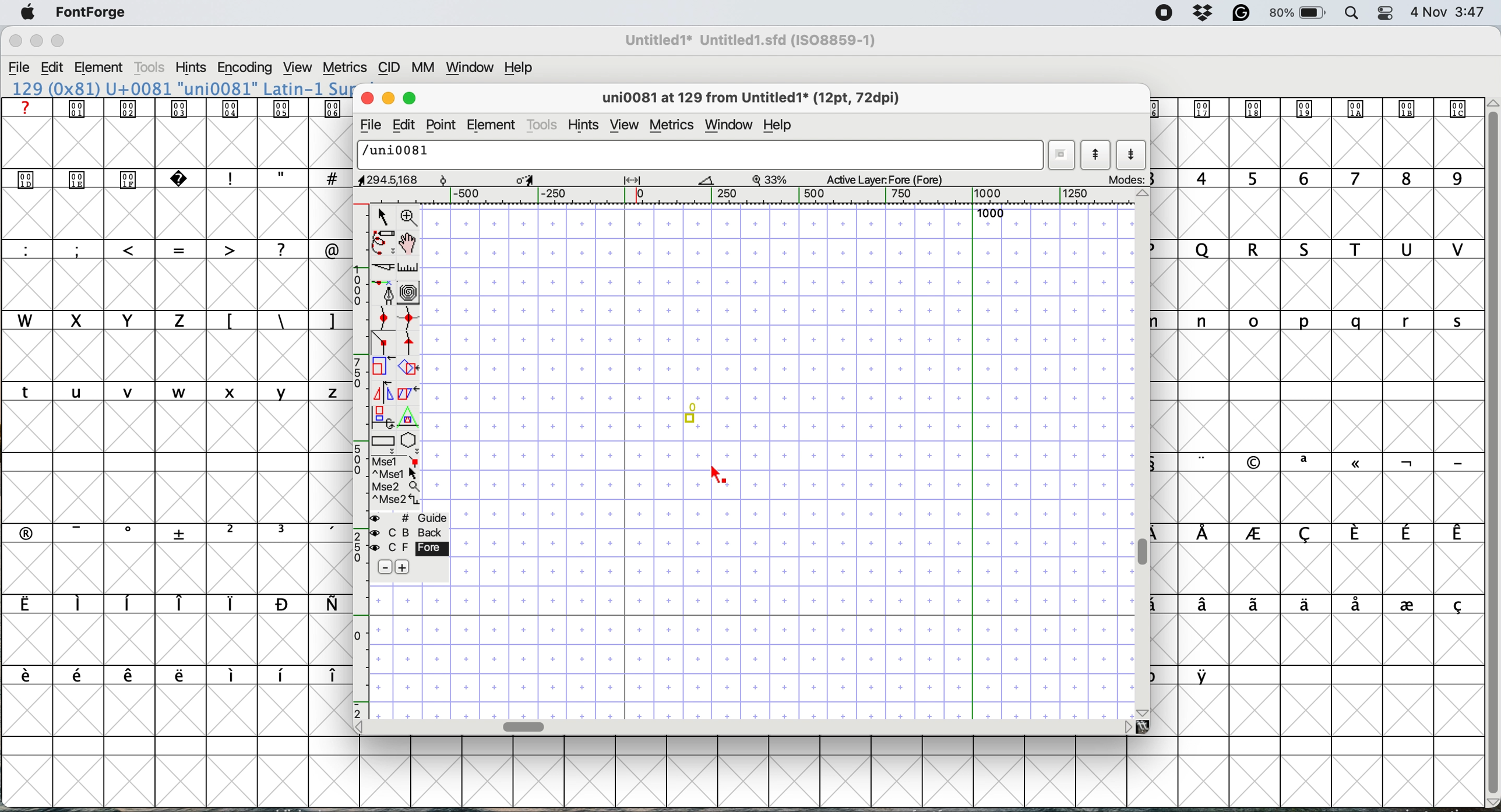  Describe the element at coordinates (544, 125) in the screenshot. I see `tools` at that location.